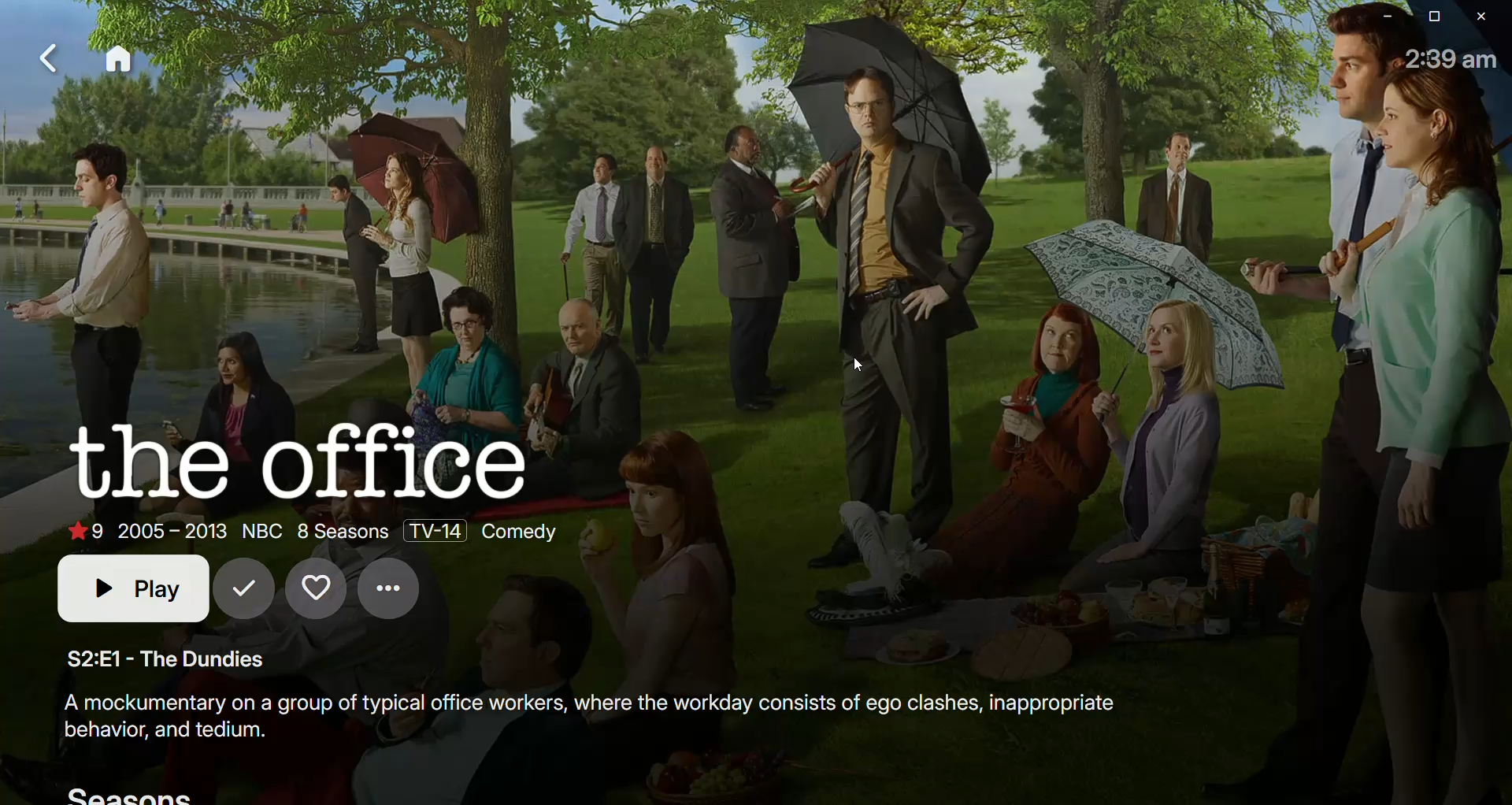 The image size is (1512, 805). Describe the element at coordinates (121, 59) in the screenshot. I see `Home` at that location.